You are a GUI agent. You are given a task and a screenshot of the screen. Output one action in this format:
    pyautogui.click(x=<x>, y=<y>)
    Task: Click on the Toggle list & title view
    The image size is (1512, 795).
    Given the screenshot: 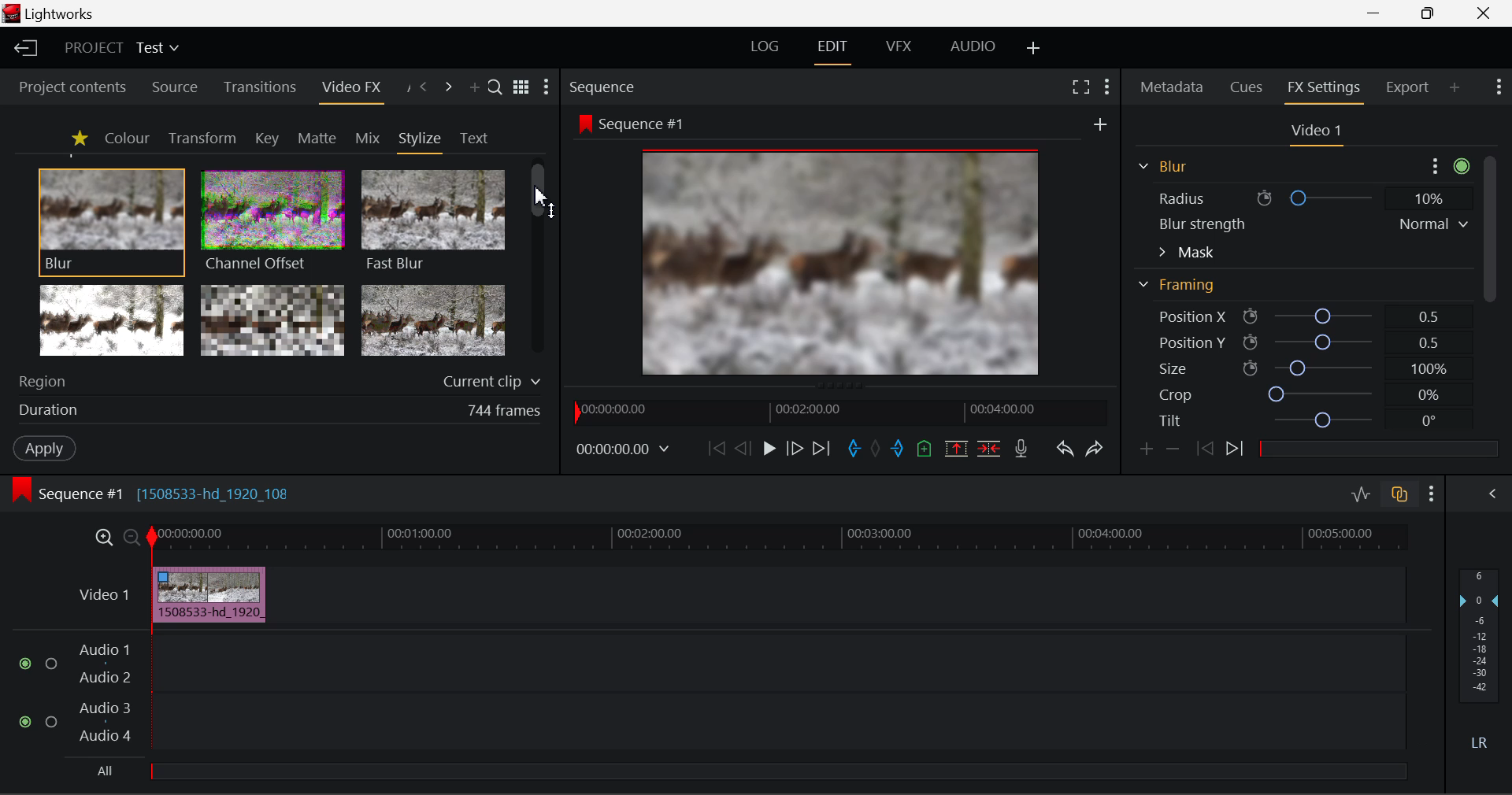 What is the action you would take?
    pyautogui.click(x=521, y=89)
    